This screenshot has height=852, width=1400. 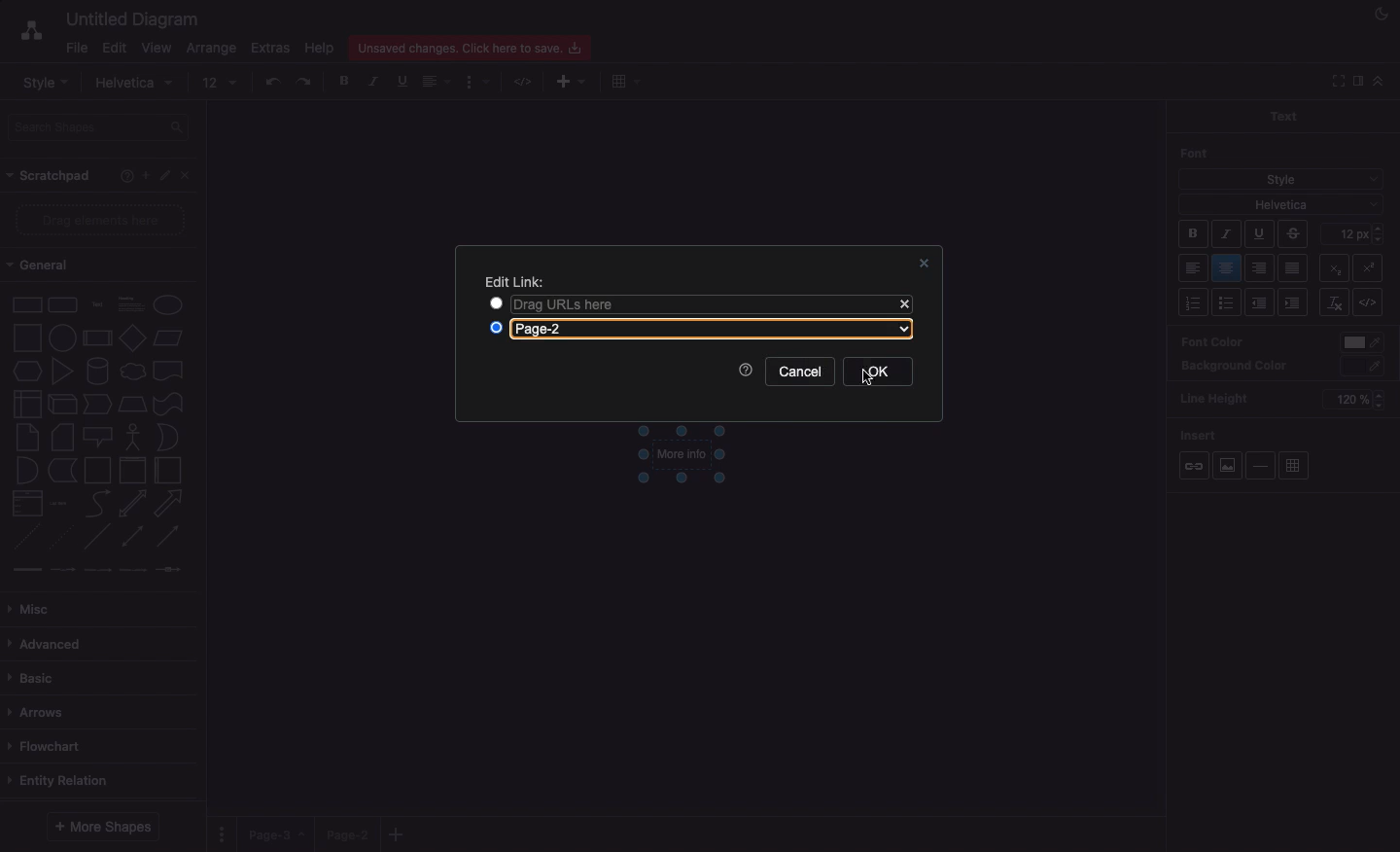 I want to click on color, so click(x=1364, y=367).